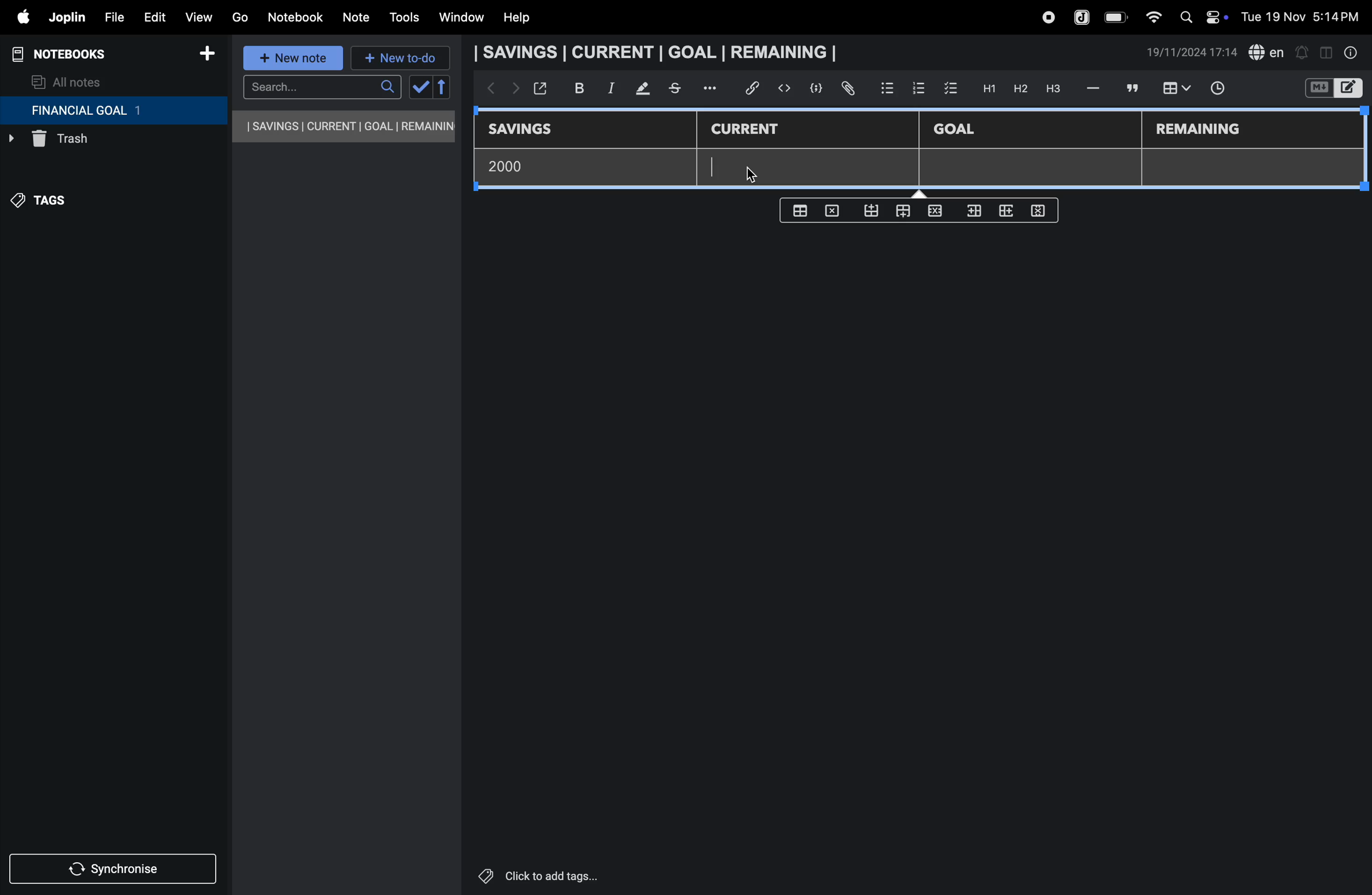 The image size is (1372, 895). I want to click on delete rows, so click(1039, 210).